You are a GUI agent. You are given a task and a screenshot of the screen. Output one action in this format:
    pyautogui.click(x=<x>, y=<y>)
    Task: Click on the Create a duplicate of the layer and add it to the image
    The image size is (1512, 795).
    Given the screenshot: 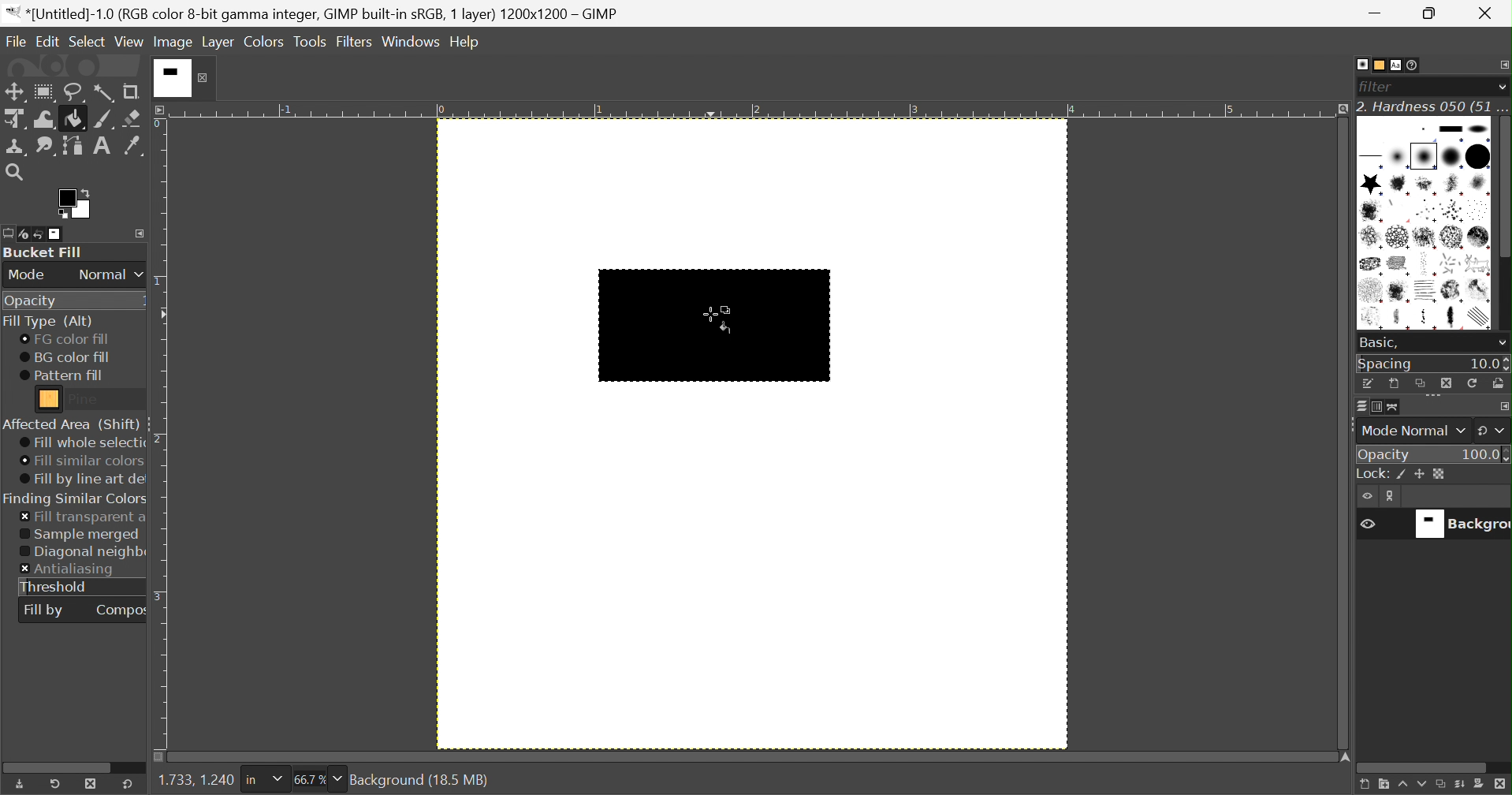 What is the action you would take?
    pyautogui.click(x=1441, y=786)
    